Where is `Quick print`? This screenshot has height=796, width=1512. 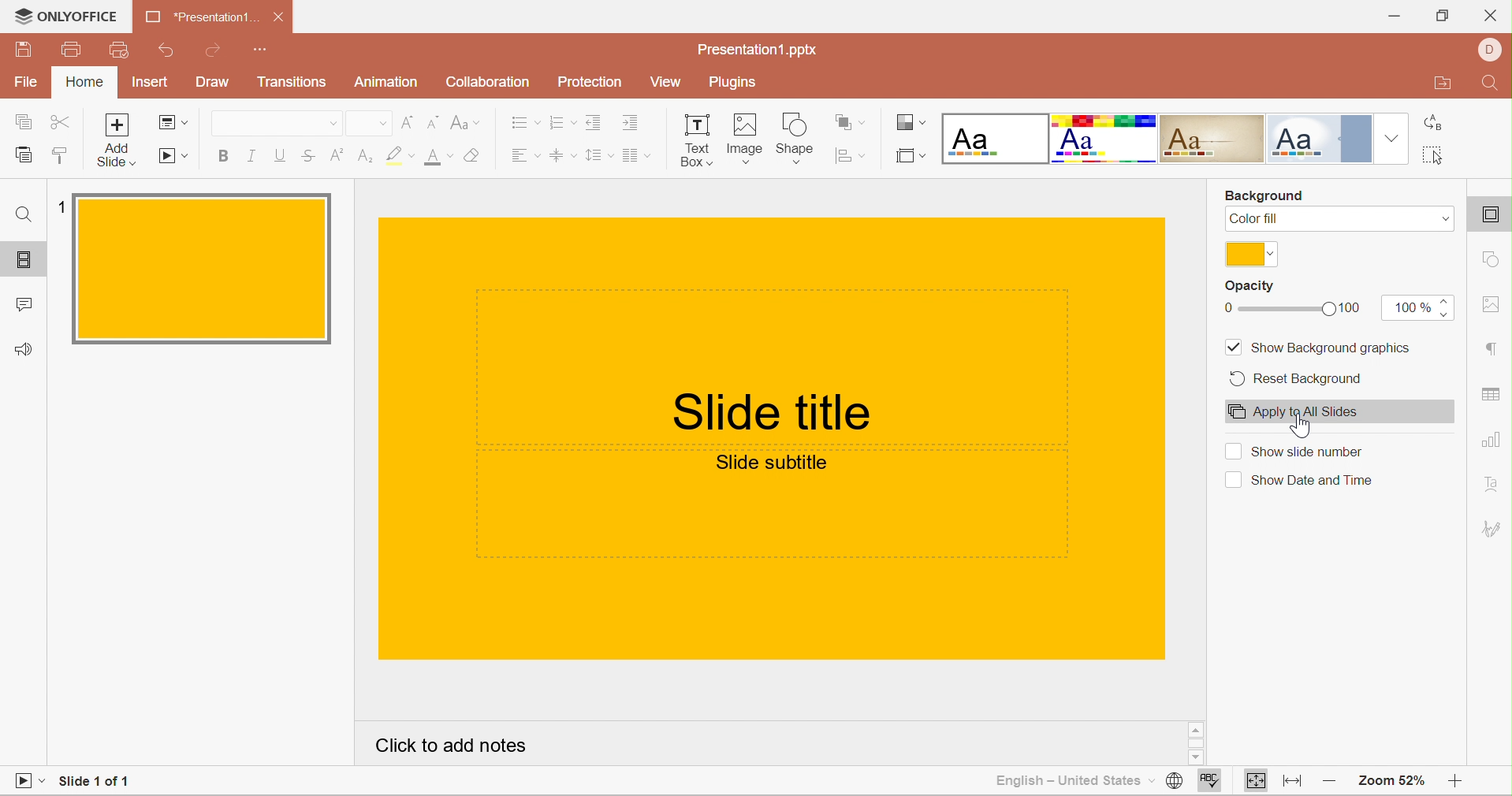 Quick print is located at coordinates (117, 50).